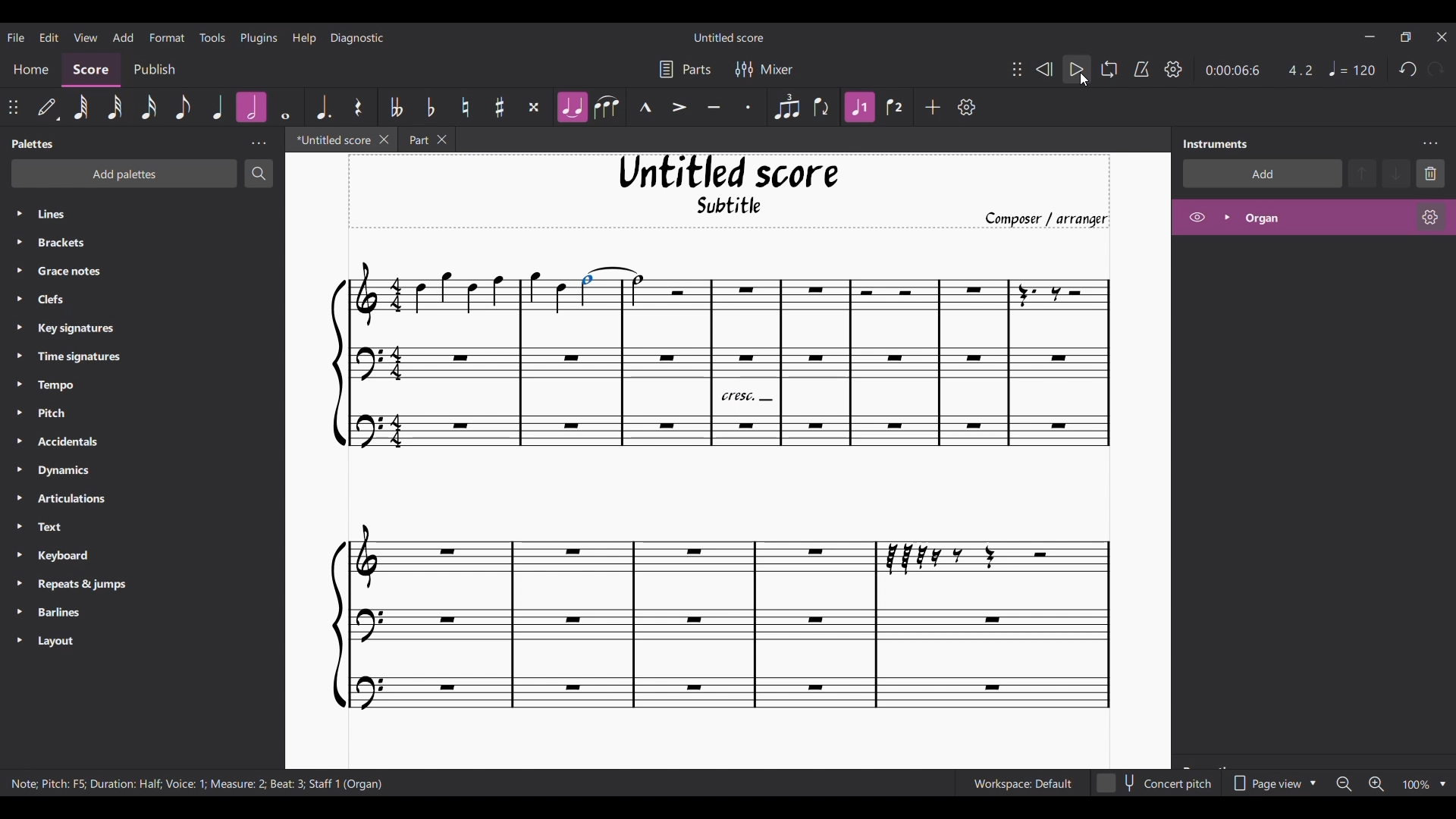 This screenshot has width=1456, height=819. I want to click on Redo, so click(1435, 70).